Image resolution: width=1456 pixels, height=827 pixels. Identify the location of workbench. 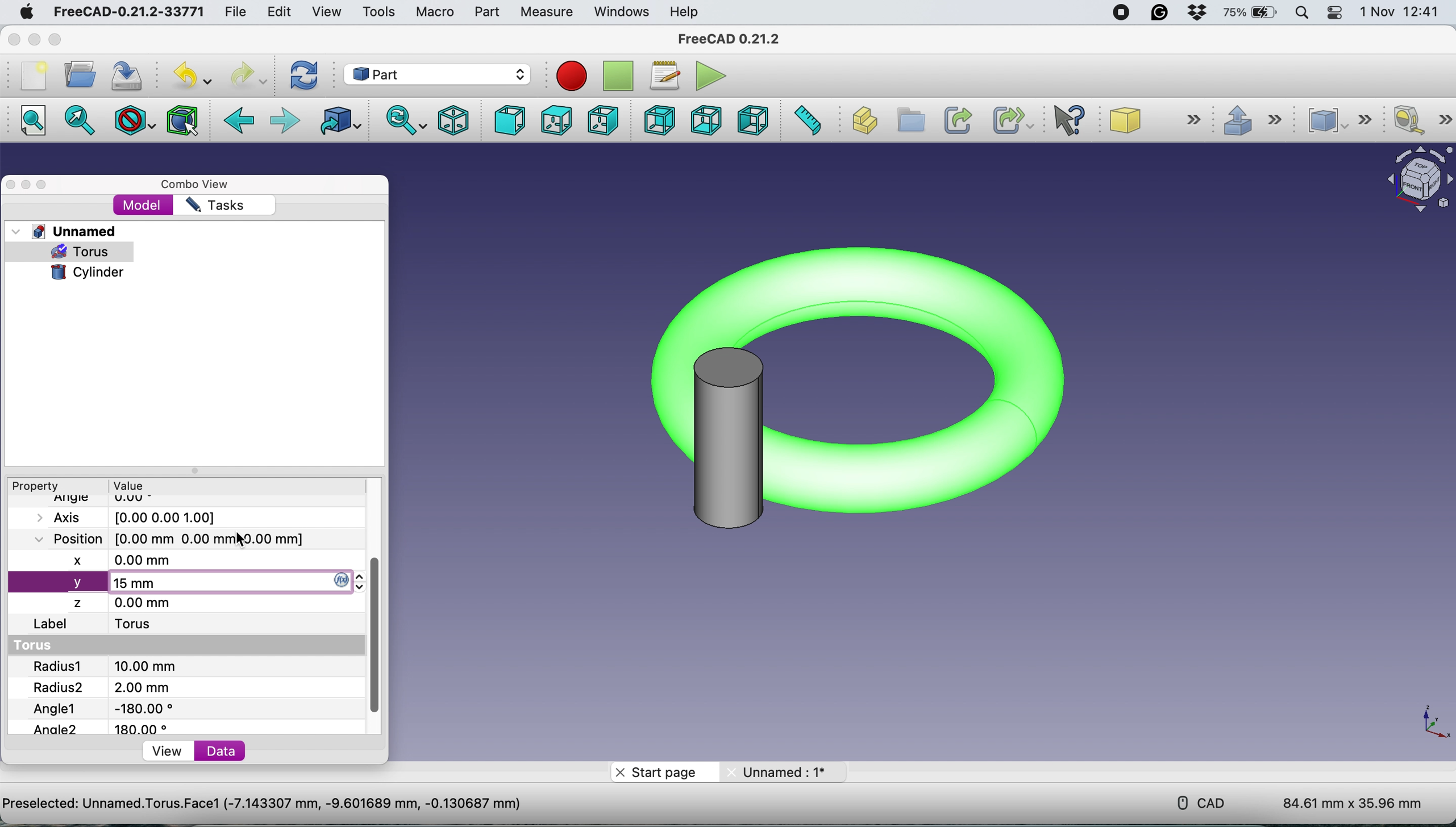
(437, 73).